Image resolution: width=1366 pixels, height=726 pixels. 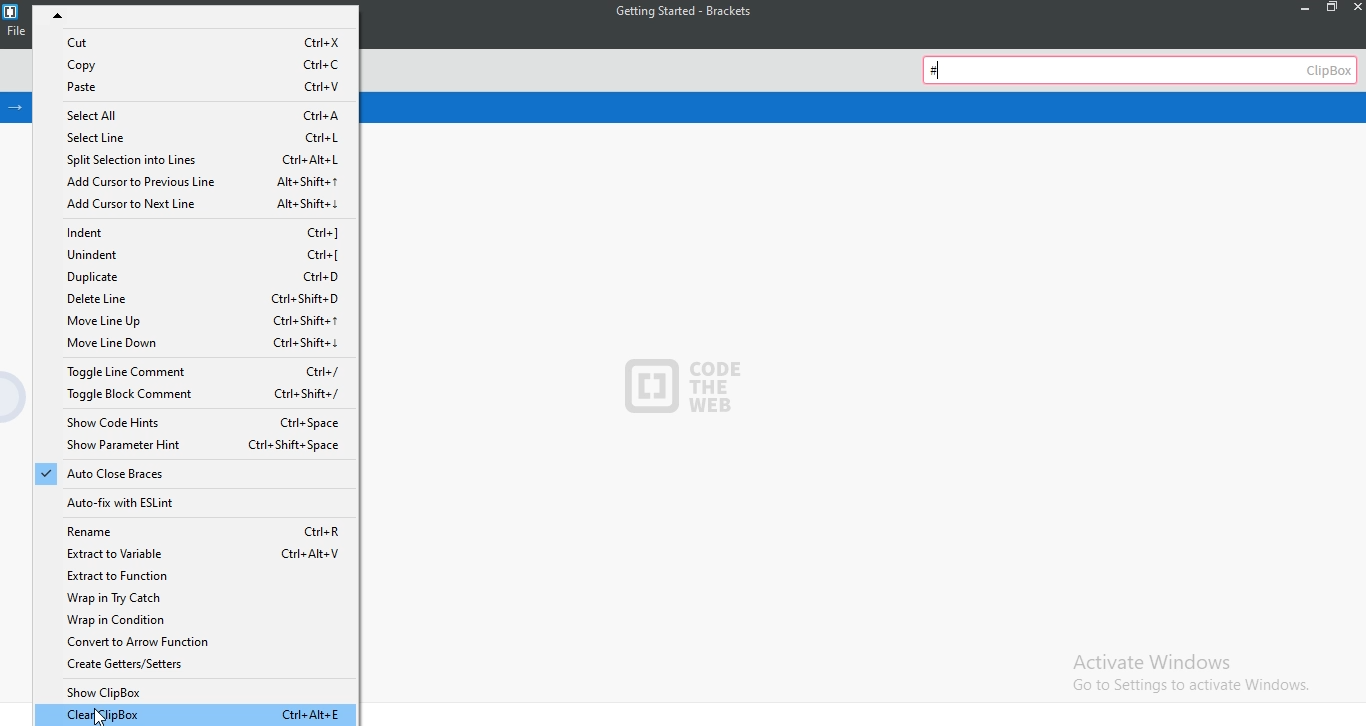 I want to click on Delete line, so click(x=191, y=299).